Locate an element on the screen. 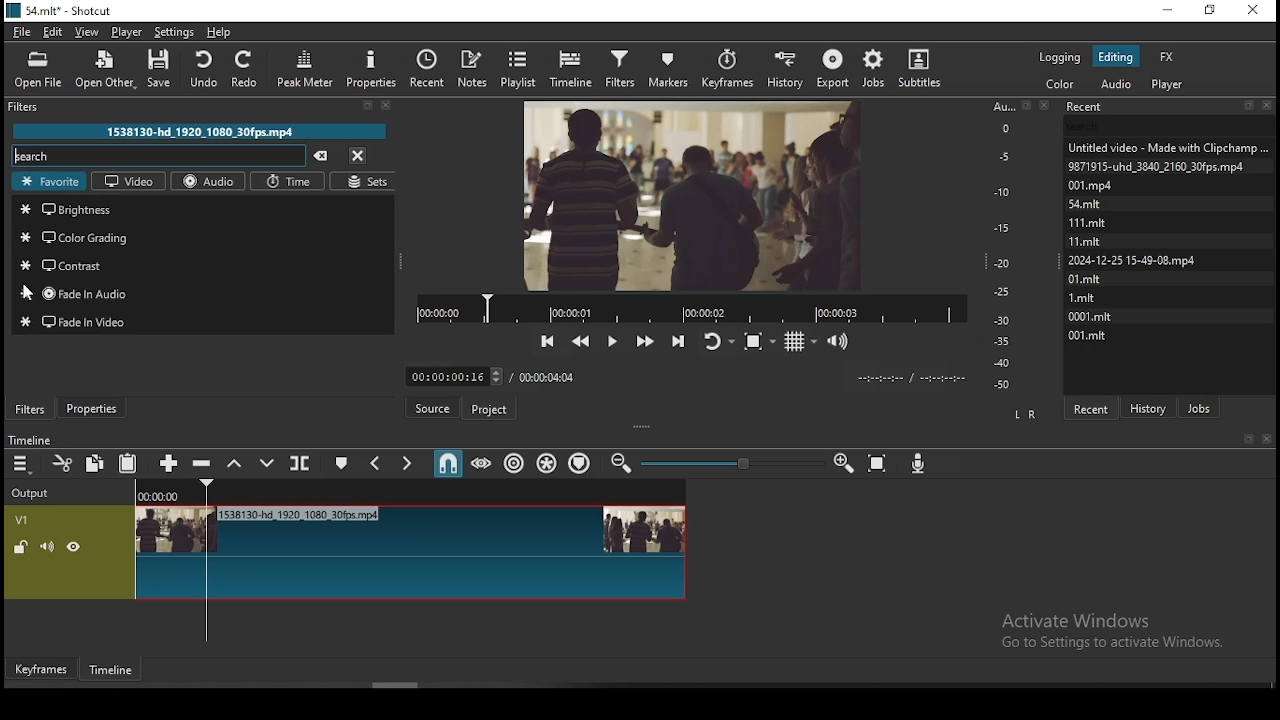  ripple all tracks is located at coordinates (548, 464).